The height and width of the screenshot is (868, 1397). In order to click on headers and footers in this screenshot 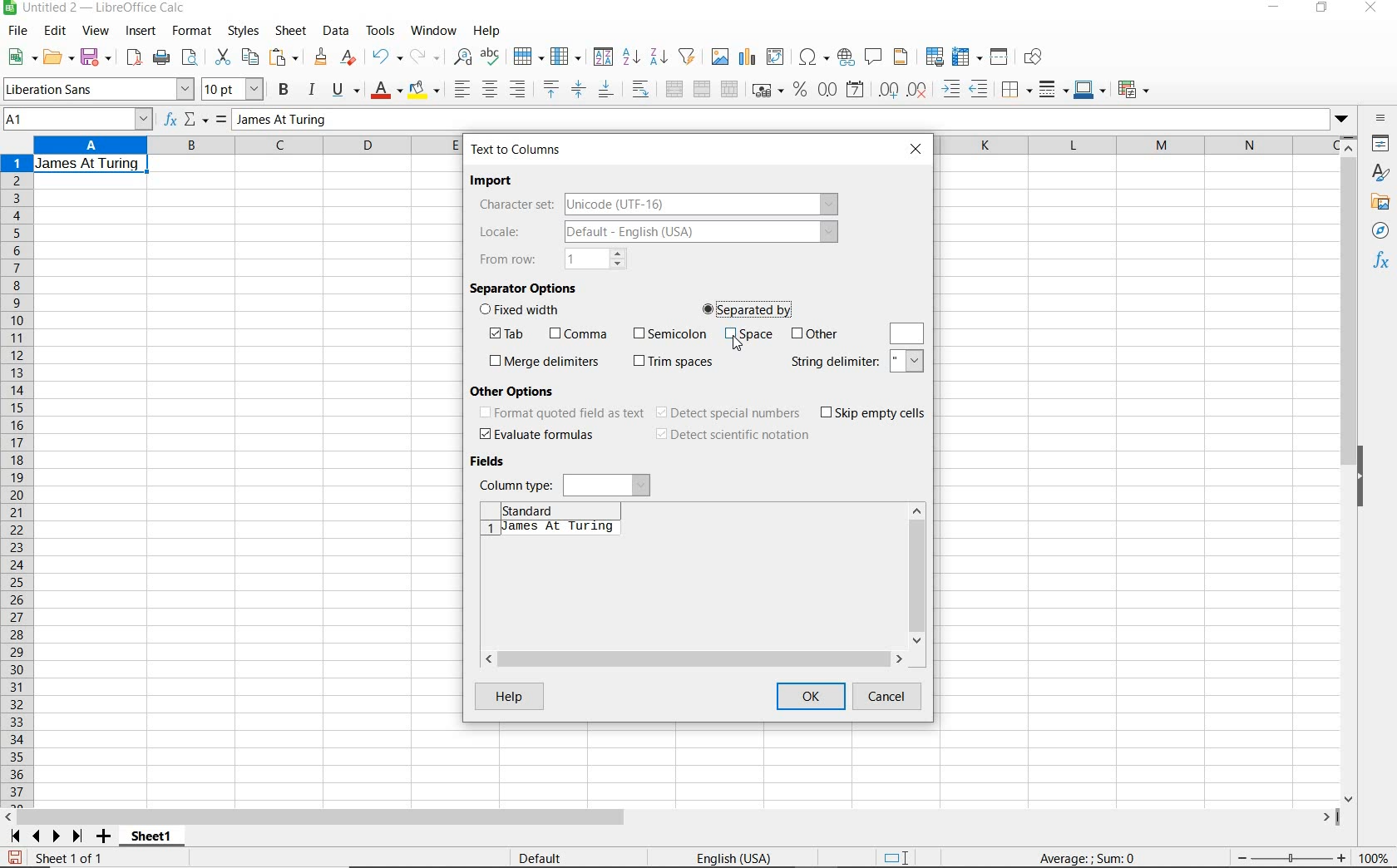, I will do `click(903, 60)`.